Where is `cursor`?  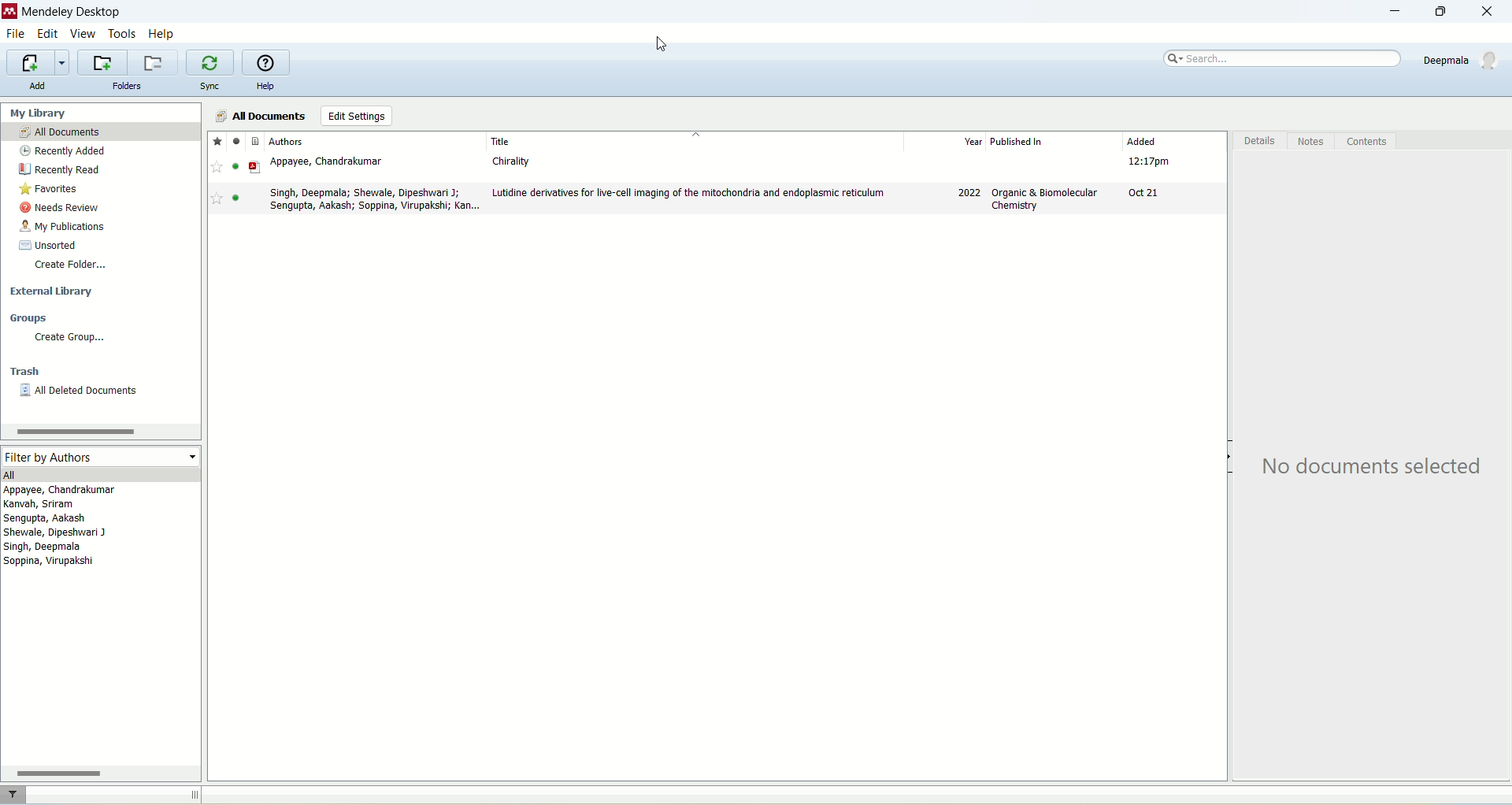
cursor is located at coordinates (661, 44).